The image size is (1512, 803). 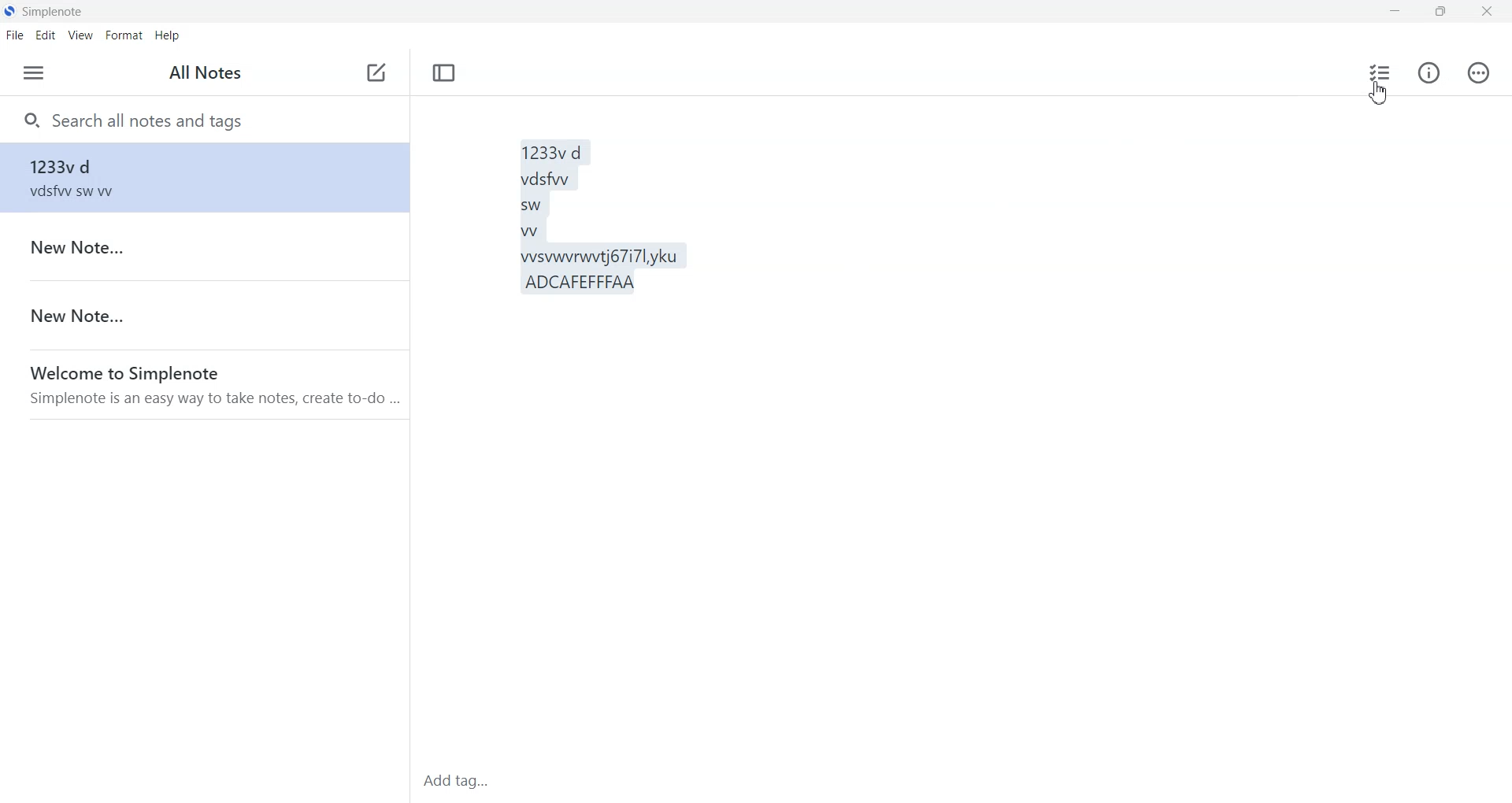 I want to click on New Note , so click(x=203, y=246).